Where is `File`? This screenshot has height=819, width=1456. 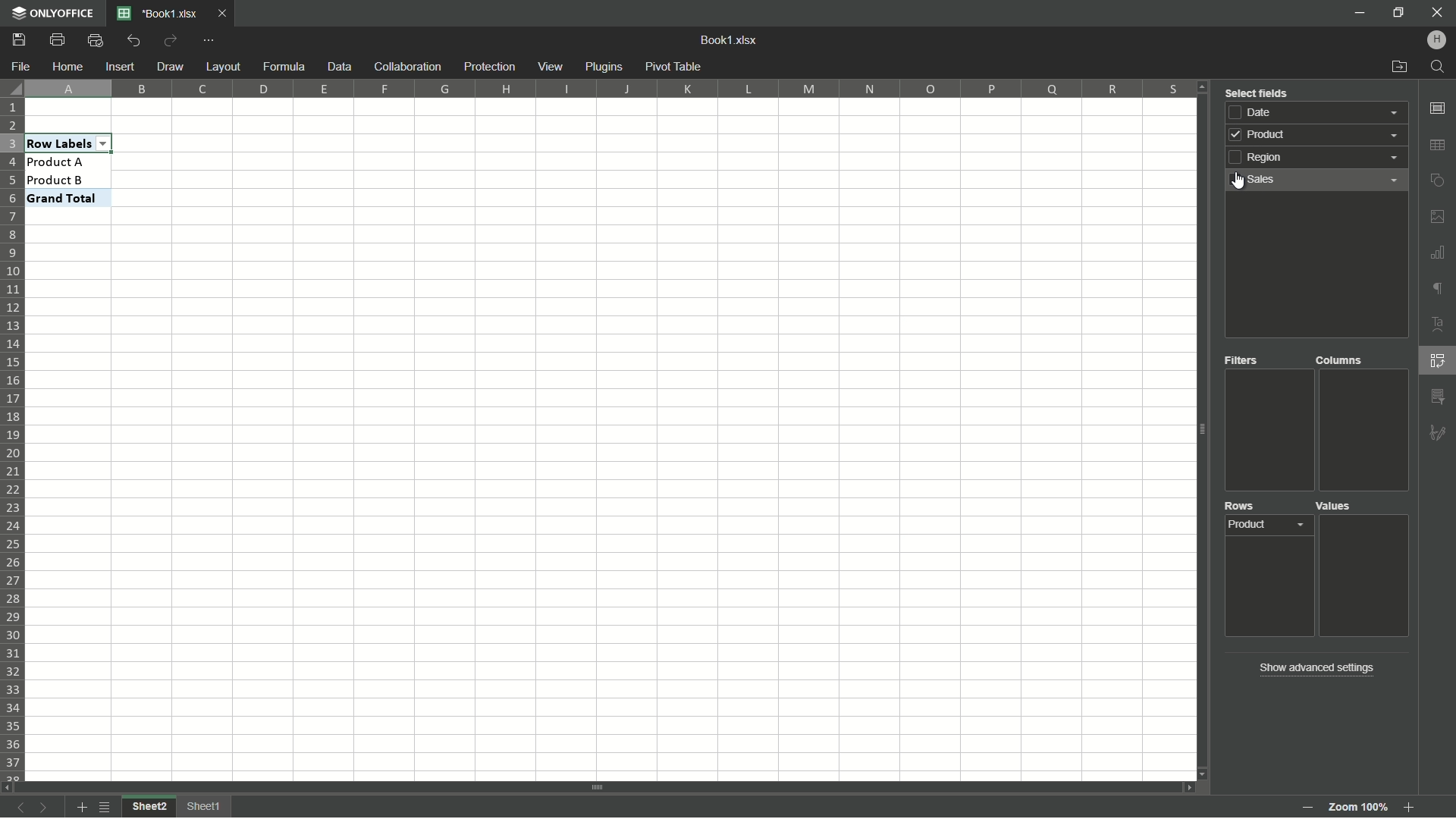
File is located at coordinates (21, 67).